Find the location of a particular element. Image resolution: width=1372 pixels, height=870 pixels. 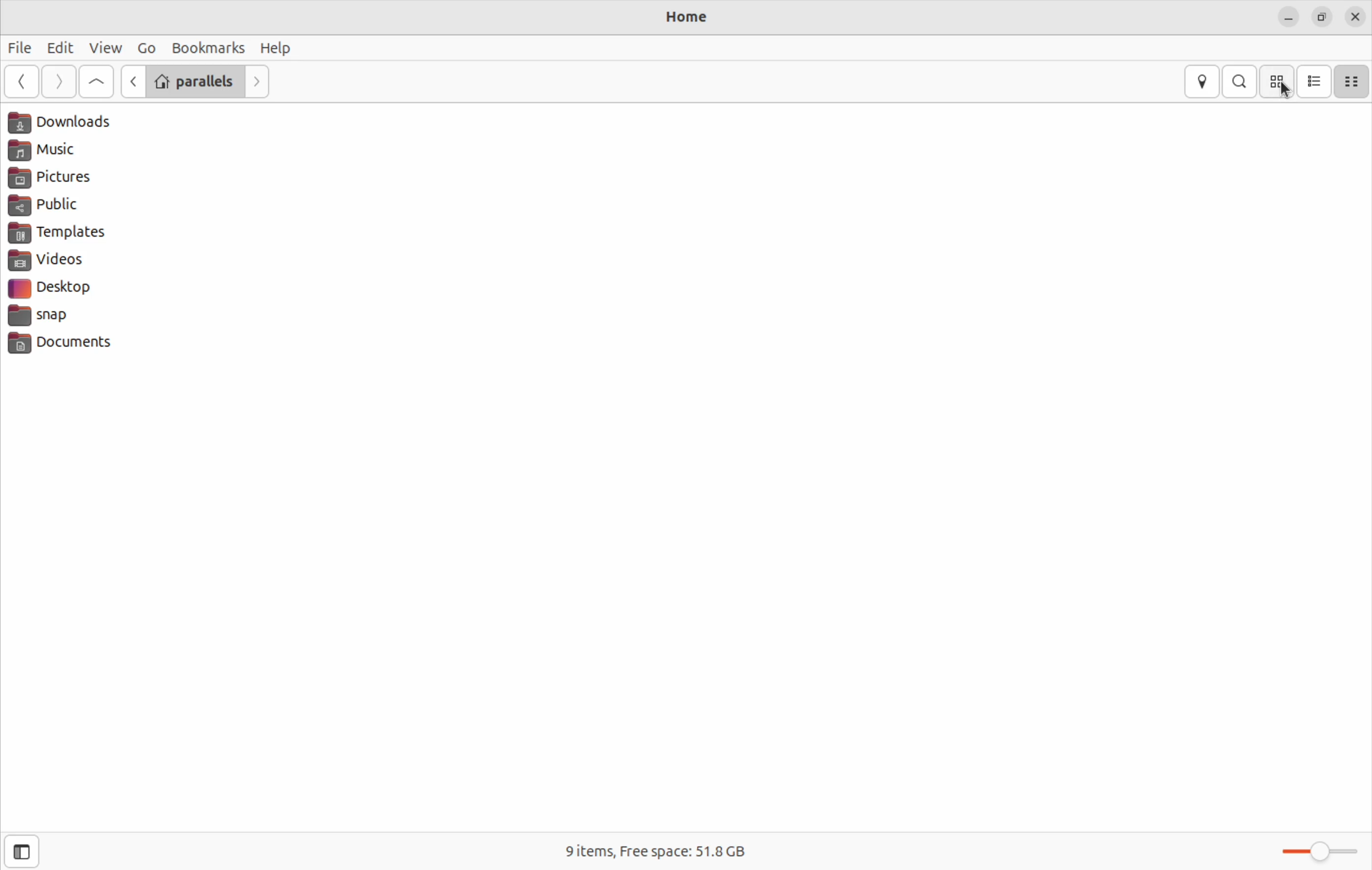

Go previous is located at coordinates (132, 81).